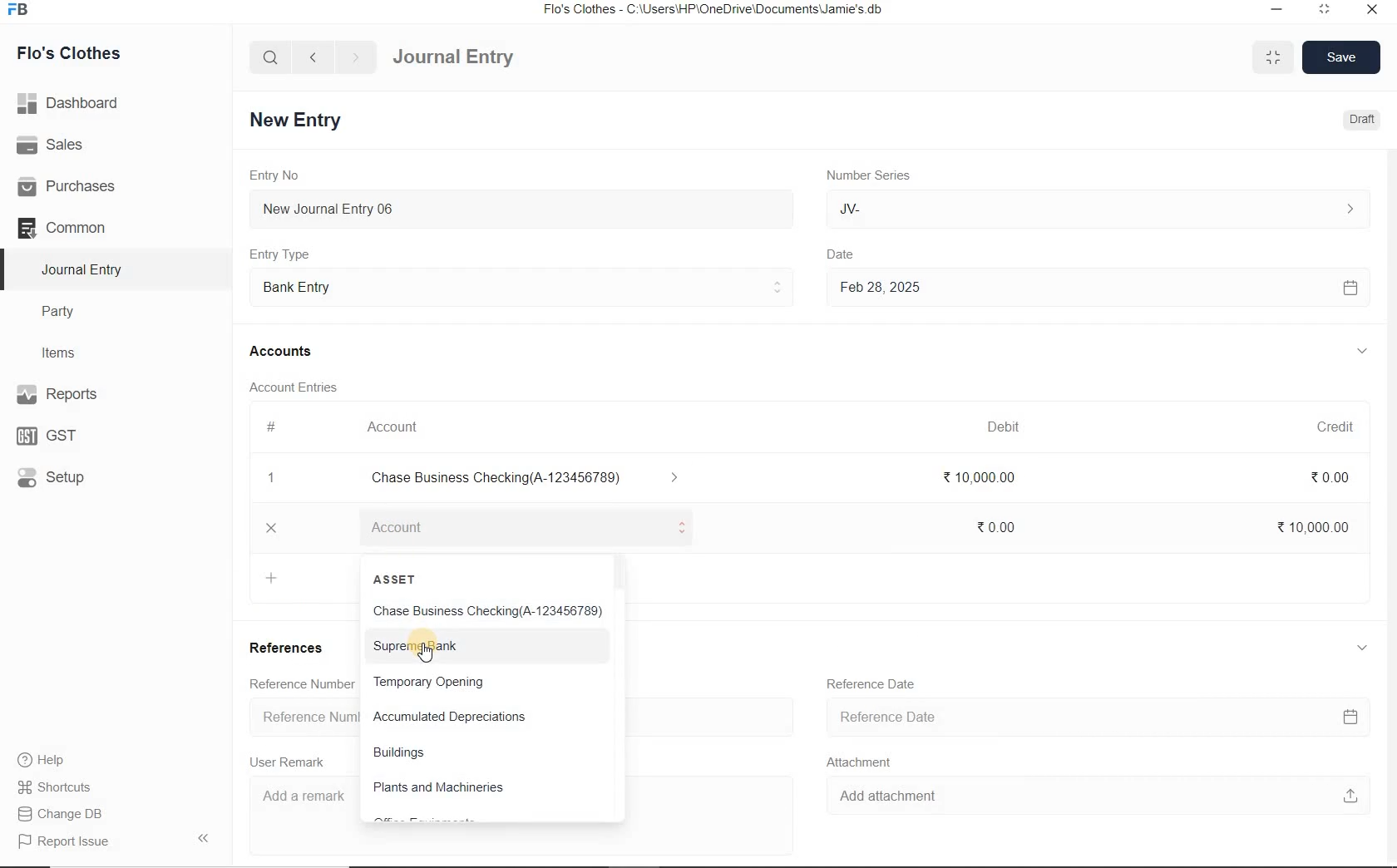  What do you see at coordinates (867, 764) in the screenshot?
I see `Attachment` at bounding box center [867, 764].